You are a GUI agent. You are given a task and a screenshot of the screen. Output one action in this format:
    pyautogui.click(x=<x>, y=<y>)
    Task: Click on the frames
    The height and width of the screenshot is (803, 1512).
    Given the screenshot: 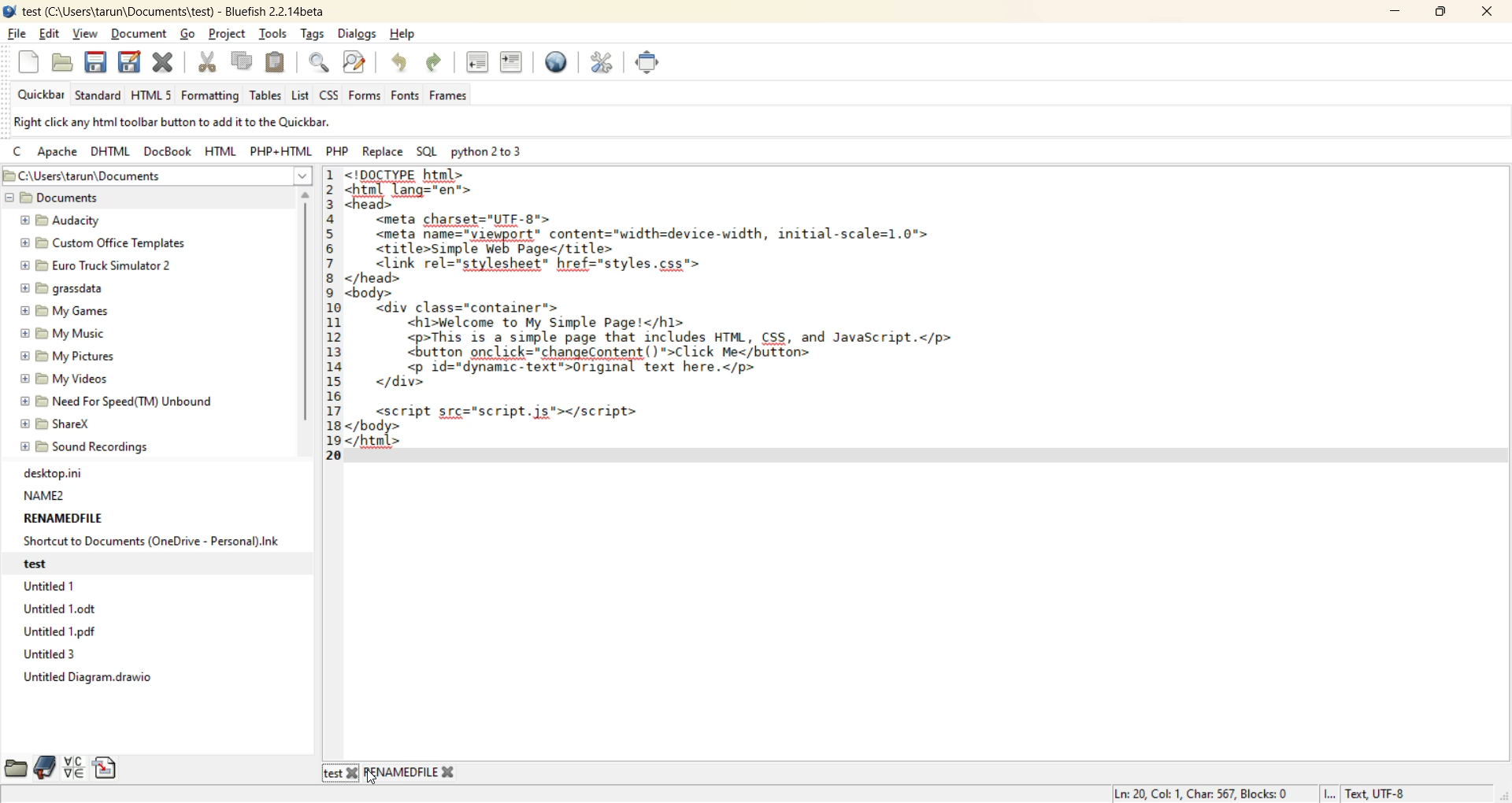 What is the action you would take?
    pyautogui.click(x=451, y=96)
    